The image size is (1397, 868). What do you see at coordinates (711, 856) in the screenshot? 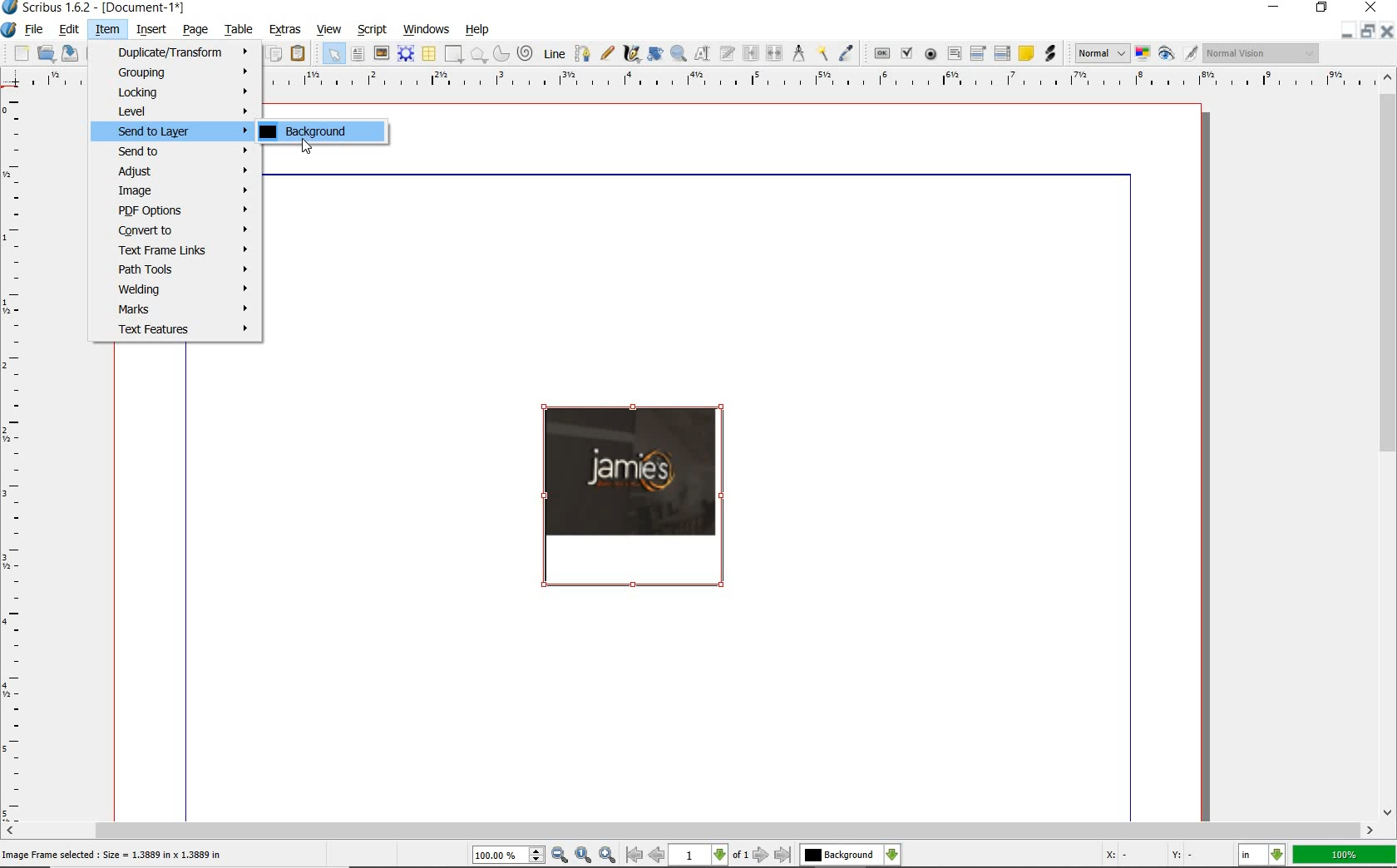
I see `1 of 1` at bounding box center [711, 856].